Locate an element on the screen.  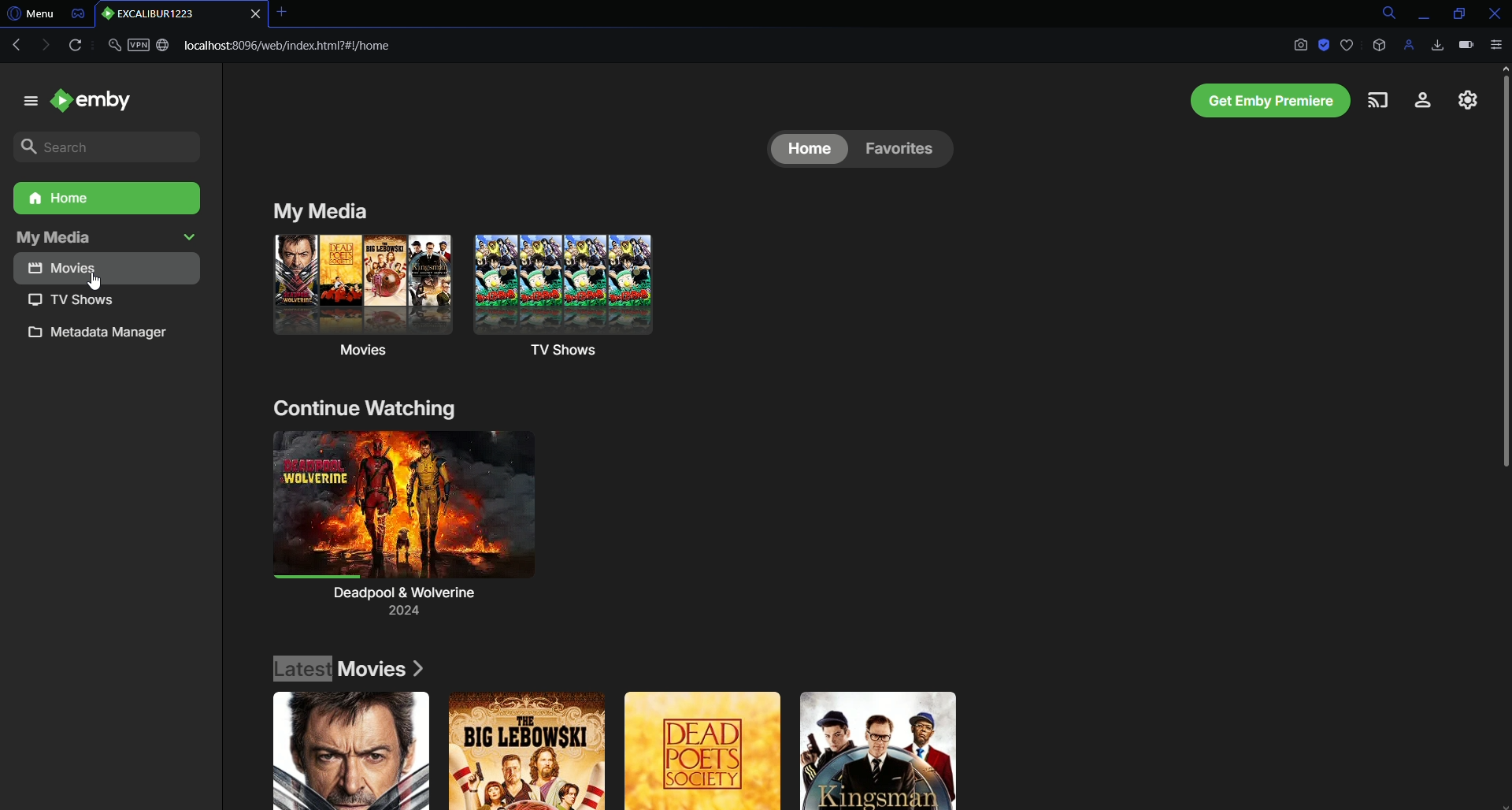
Minimize is located at coordinates (1421, 13).